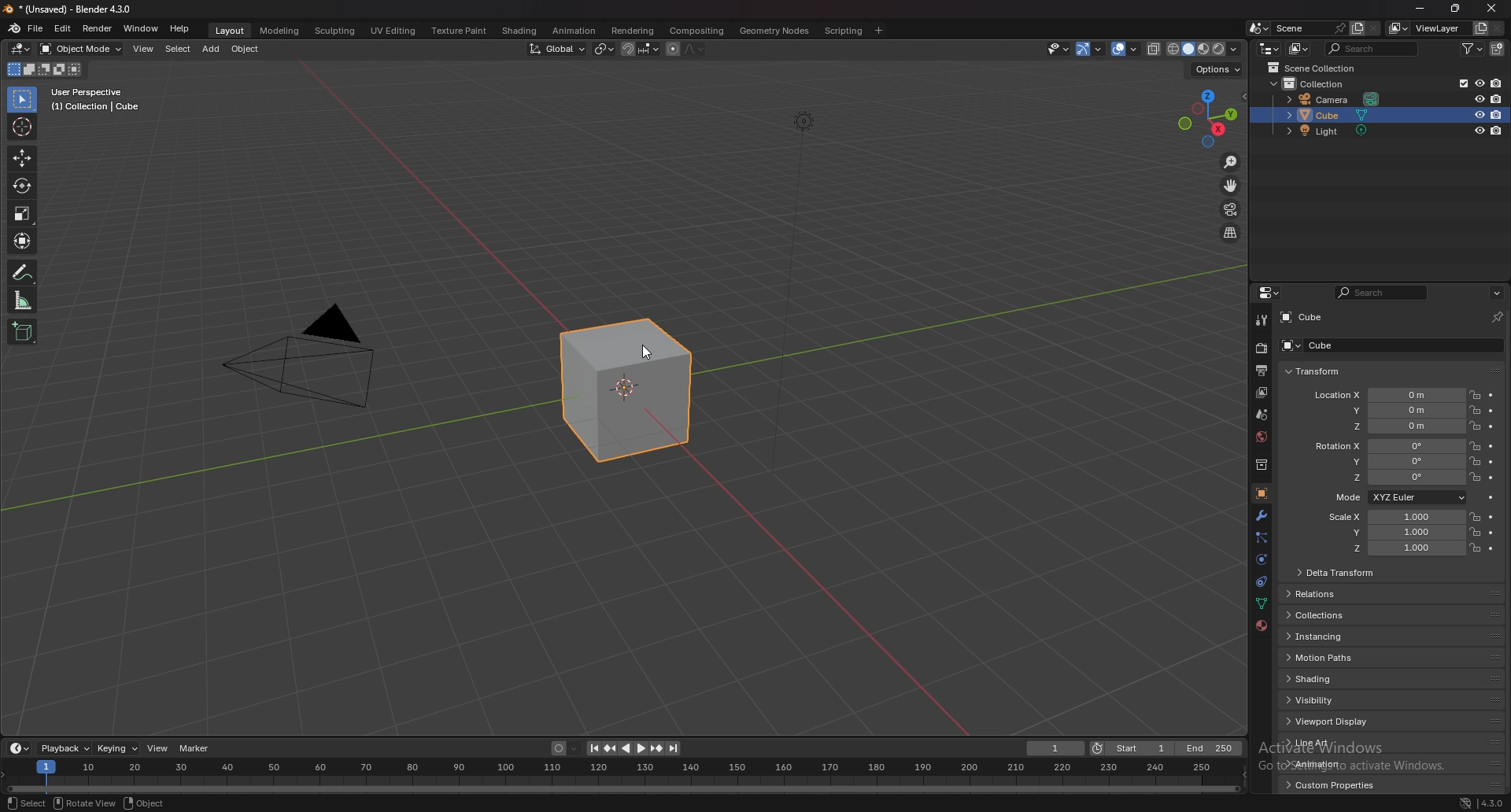 The image size is (1511, 812). Describe the element at coordinates (231, 31) in the screenshot. I see `layout` at that location.